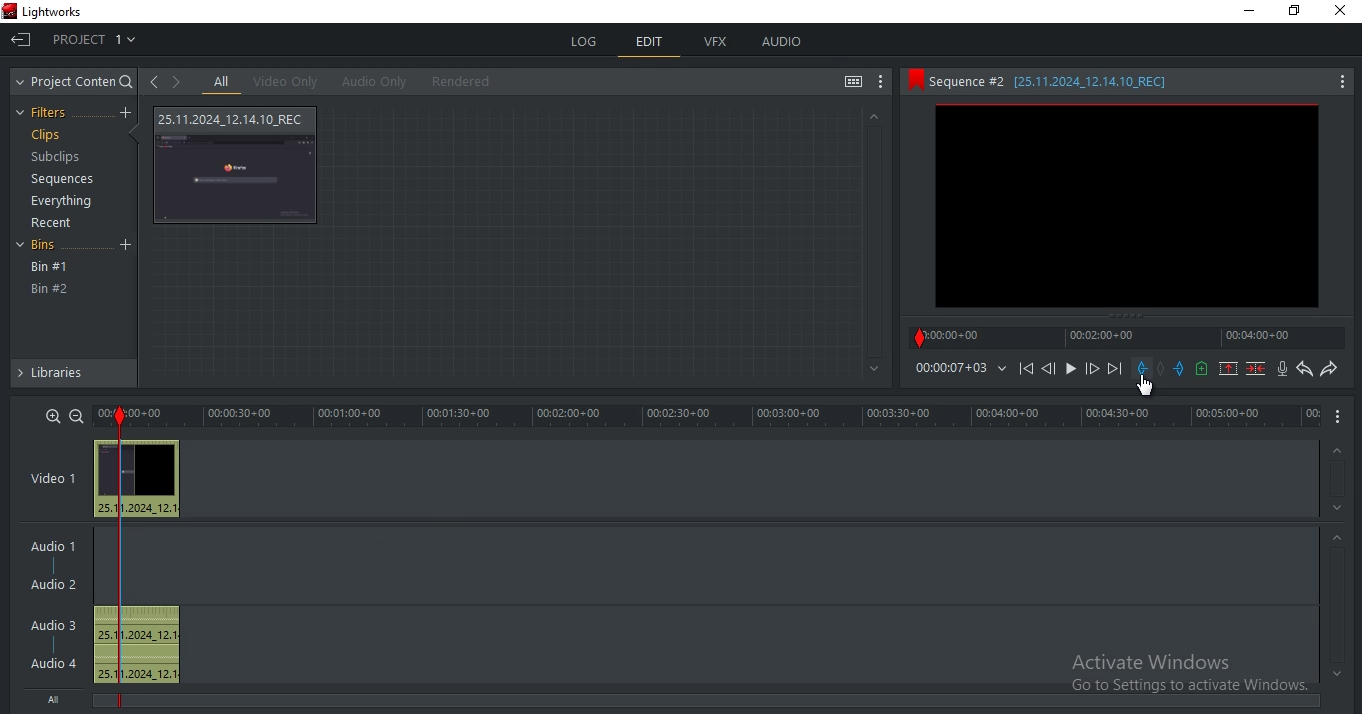  I want to click on sequences, so click(57, 181).